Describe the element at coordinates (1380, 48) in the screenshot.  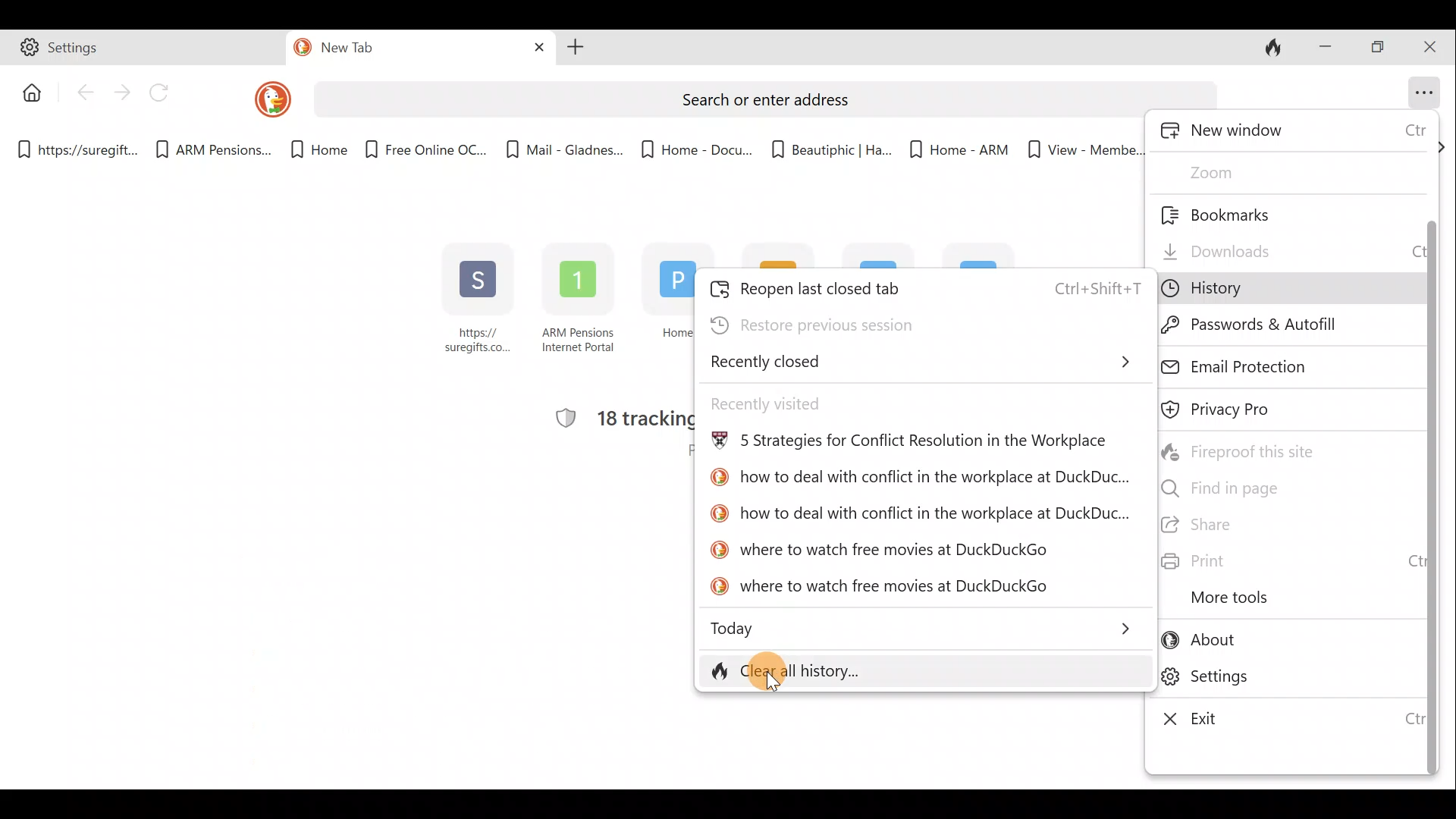
I see `Restore down` at that location.